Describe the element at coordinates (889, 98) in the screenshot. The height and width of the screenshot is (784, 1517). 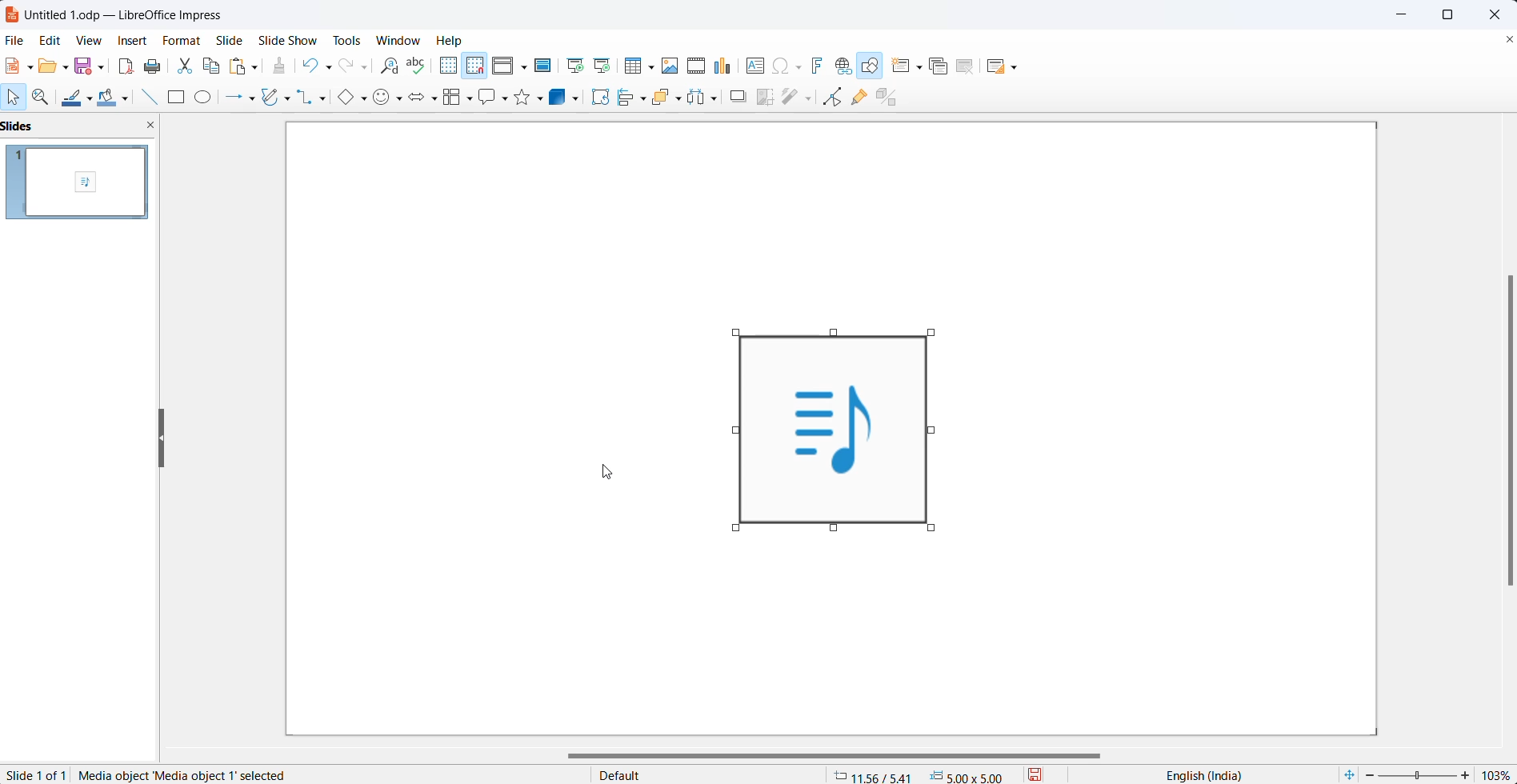
I see `toggle extrusion` at that location.